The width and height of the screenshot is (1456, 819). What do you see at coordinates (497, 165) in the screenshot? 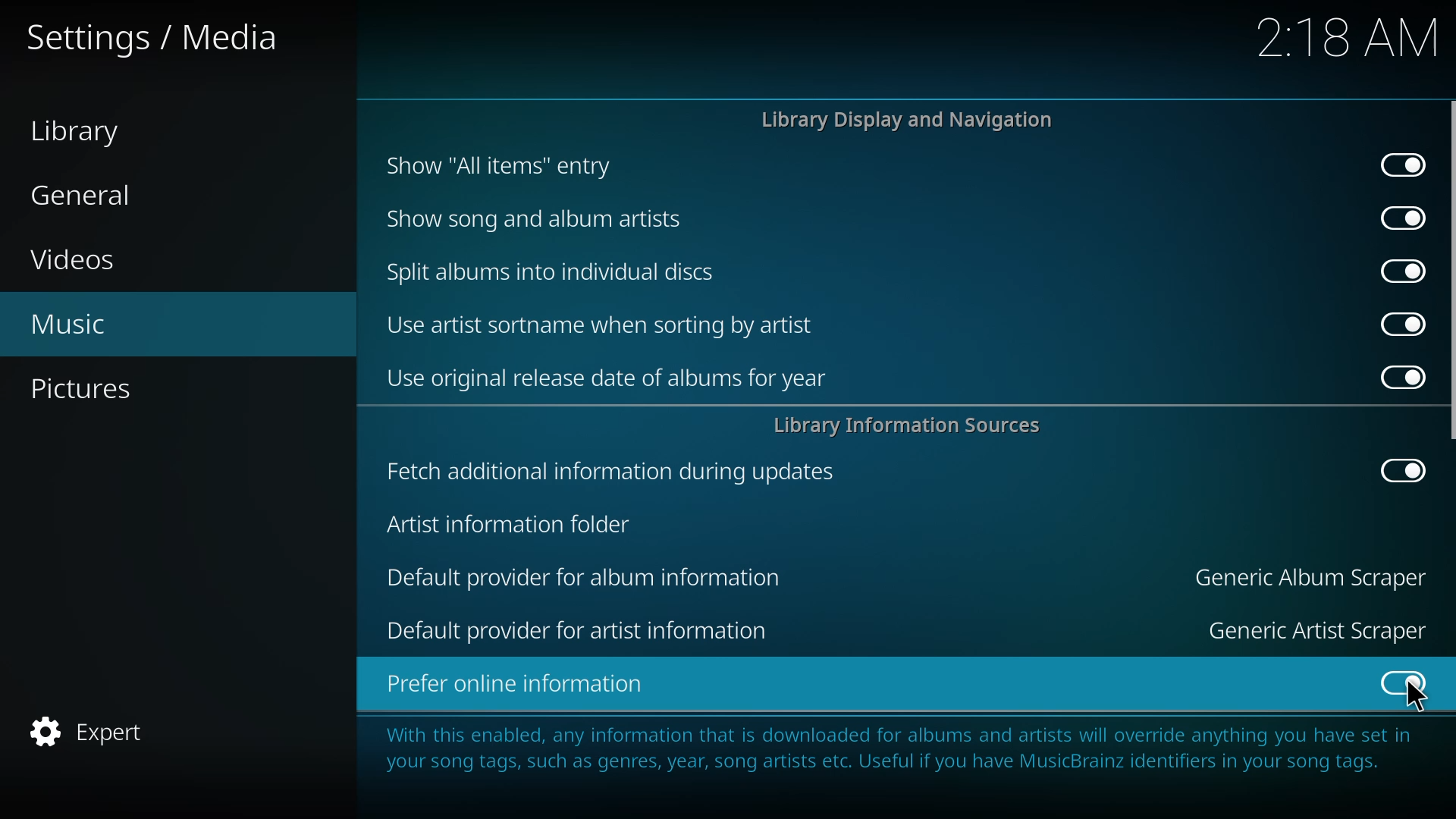
I see `show all items entry` at bounding box center [497, 165].